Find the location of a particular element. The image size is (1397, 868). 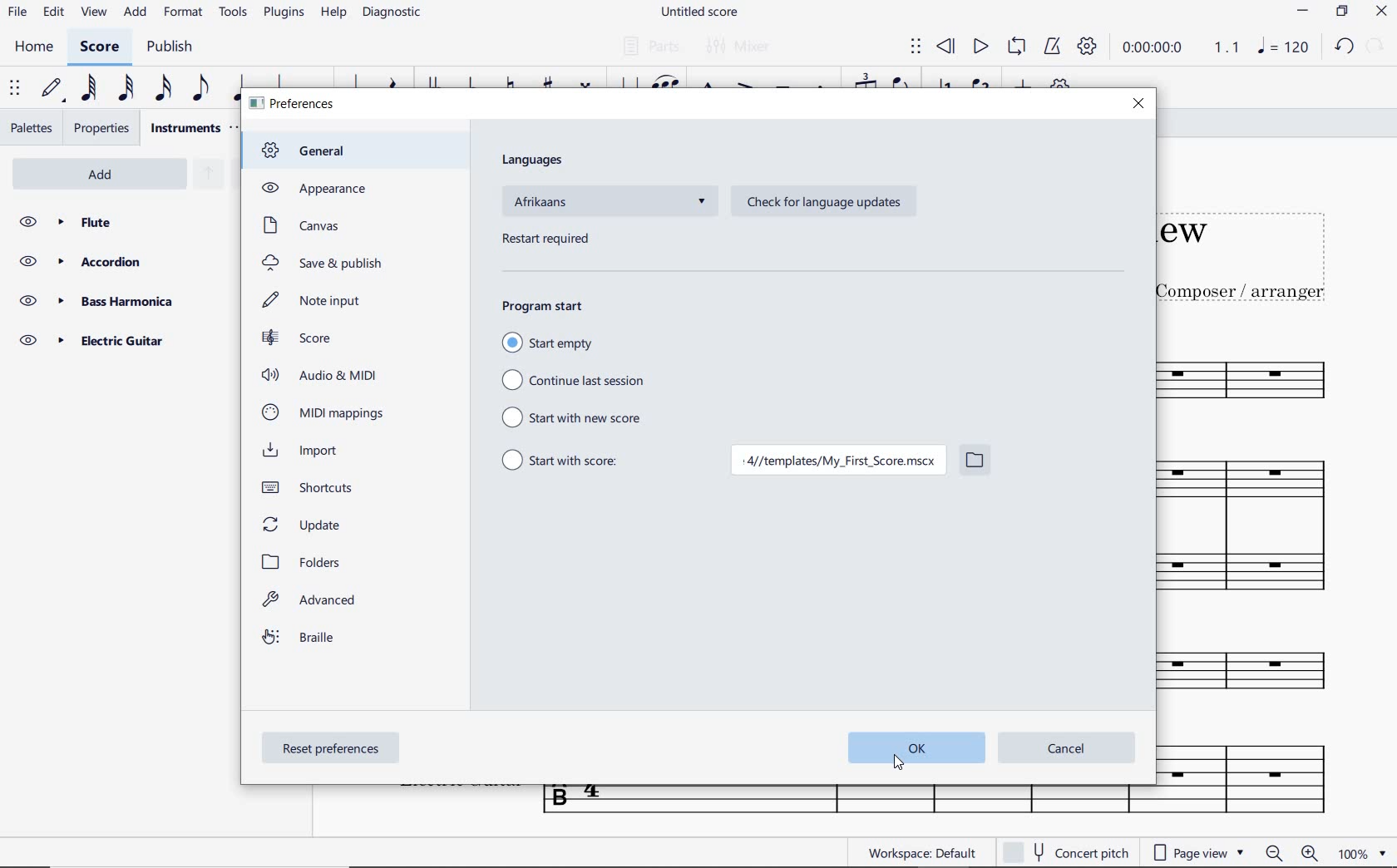

edit is located at coordinates (52, 15).